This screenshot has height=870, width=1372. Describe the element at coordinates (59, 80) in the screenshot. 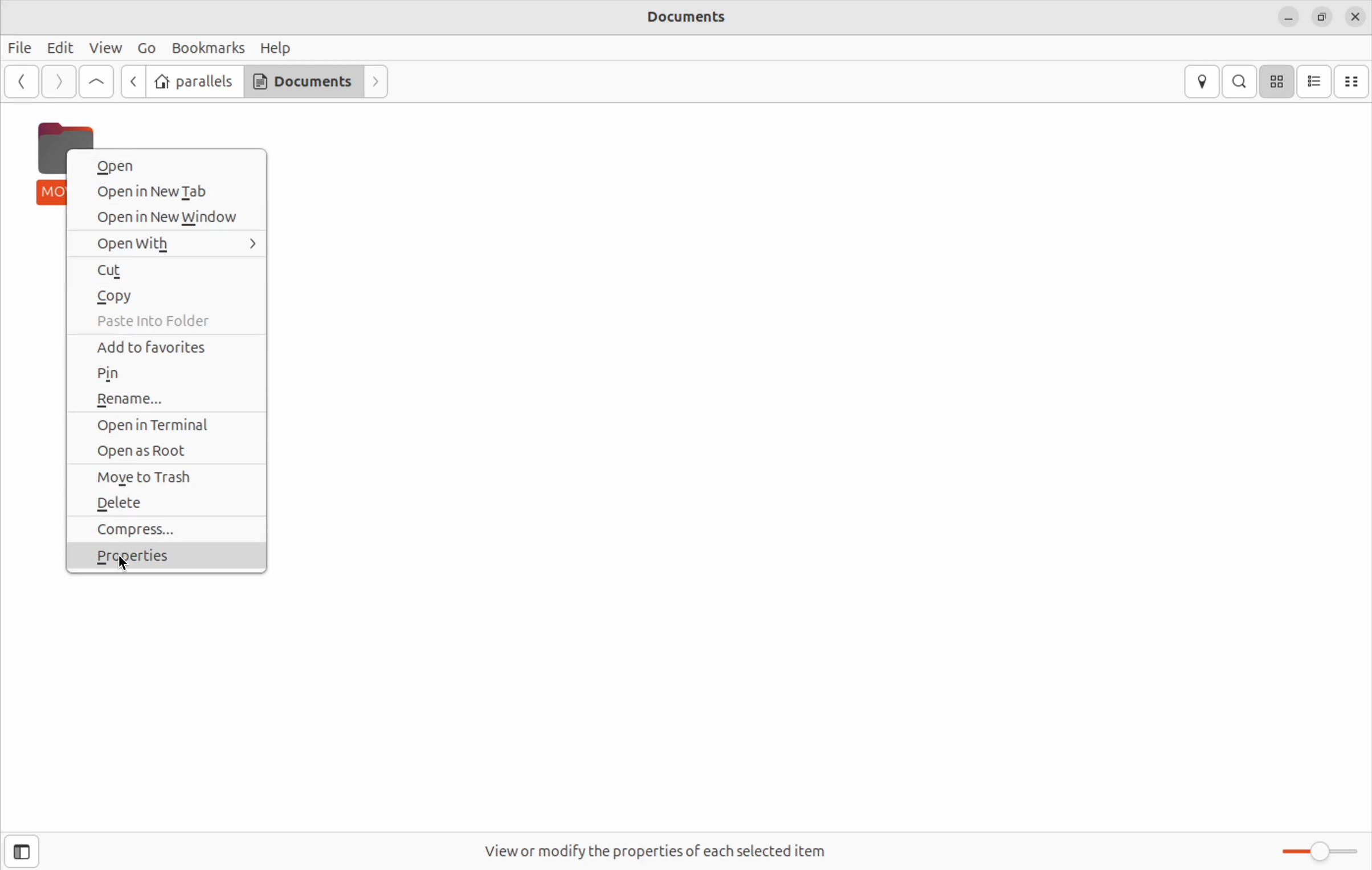

I see `next` at that location.